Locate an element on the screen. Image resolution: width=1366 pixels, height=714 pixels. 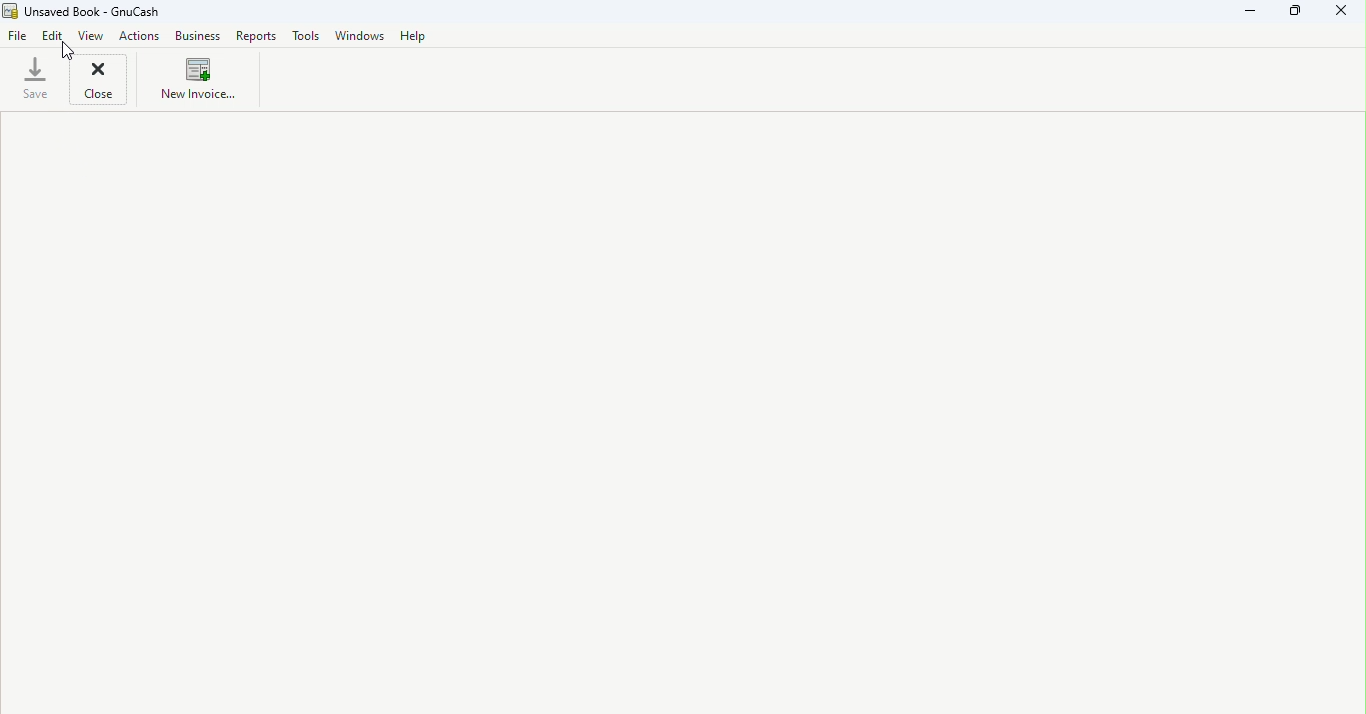
Windows is located at coordinates (360, 36).